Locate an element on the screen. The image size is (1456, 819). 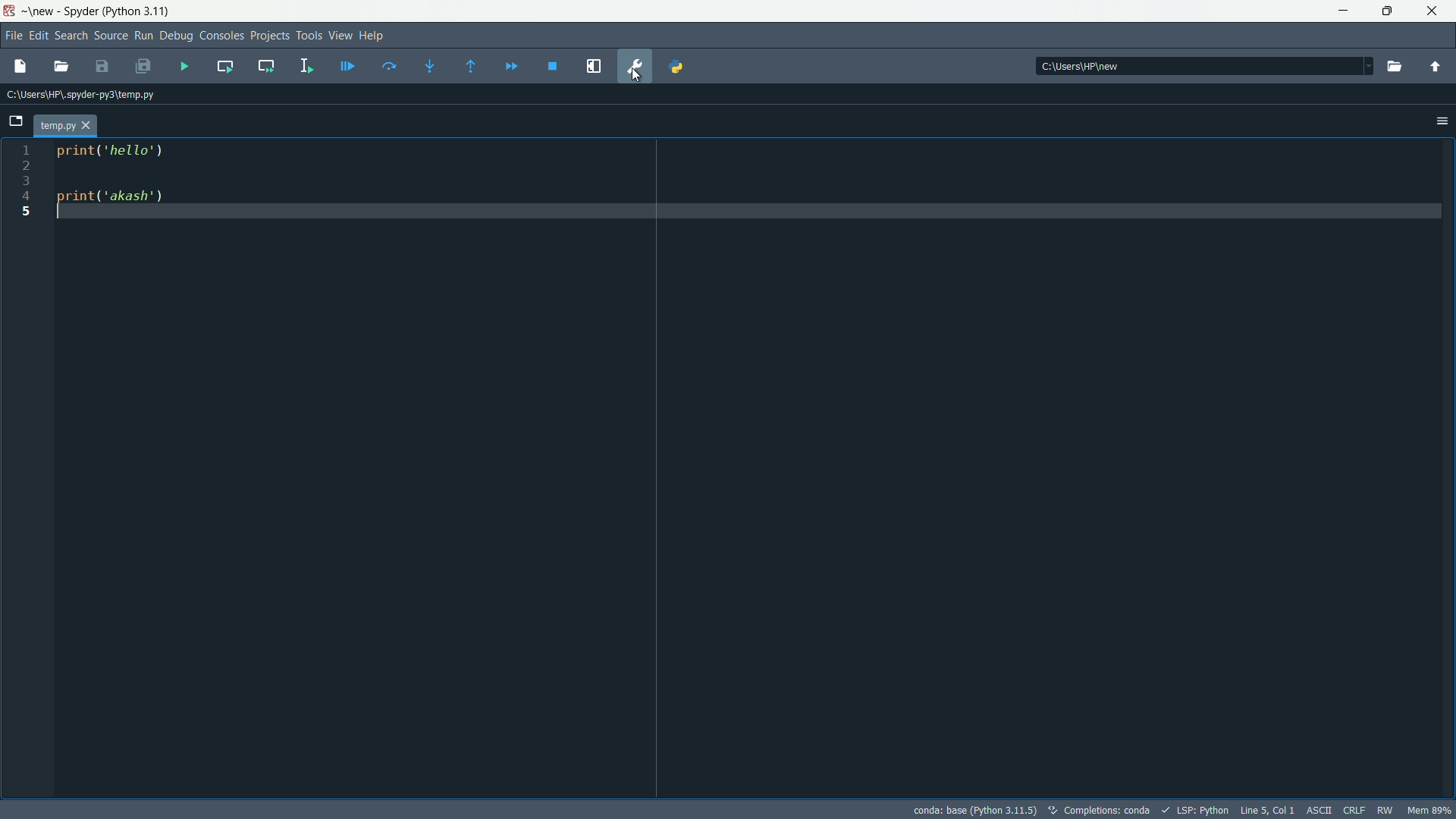
help menu is located at coordinates (372, 35).